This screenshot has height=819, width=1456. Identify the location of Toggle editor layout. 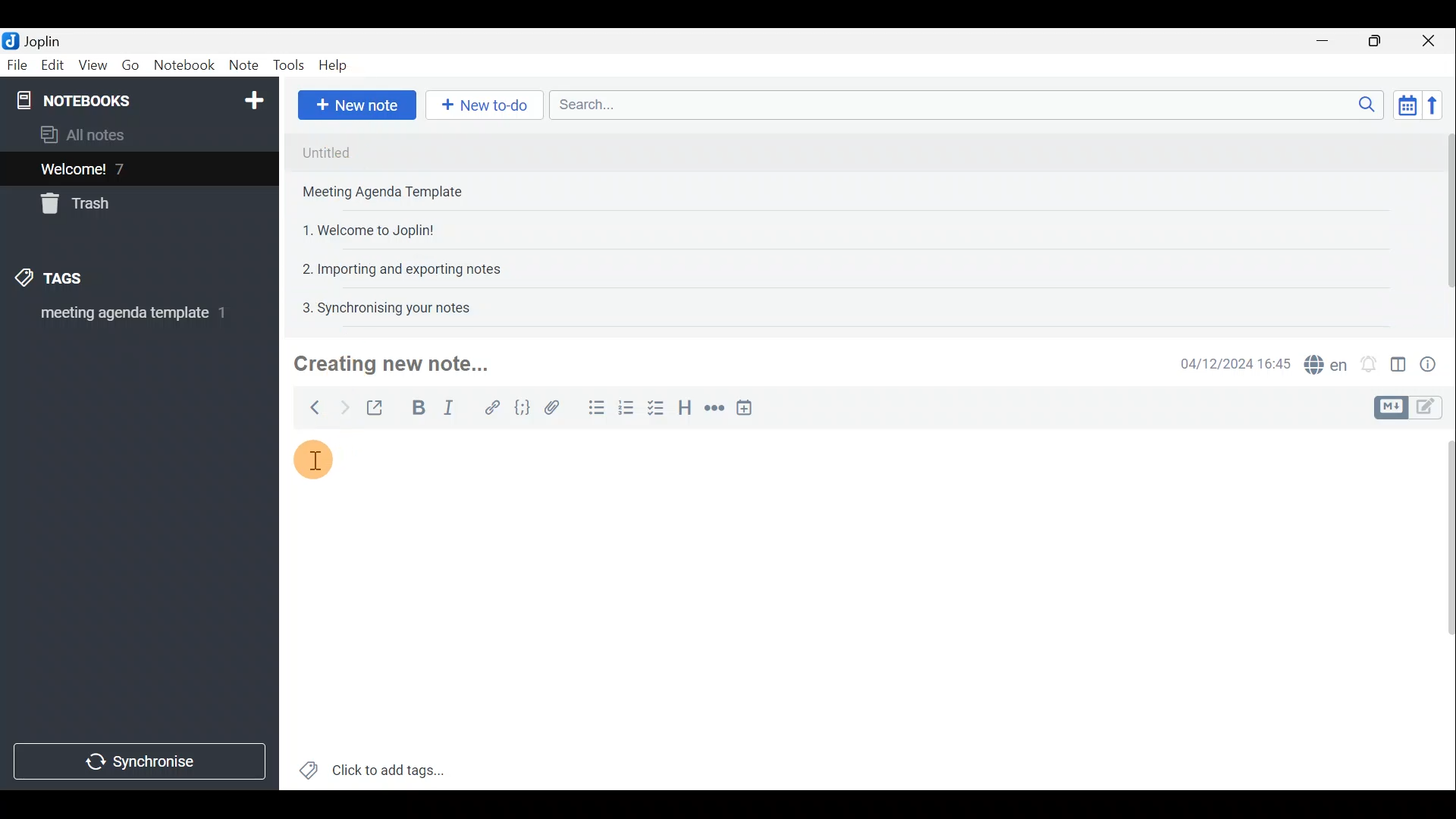
(1398, 359).